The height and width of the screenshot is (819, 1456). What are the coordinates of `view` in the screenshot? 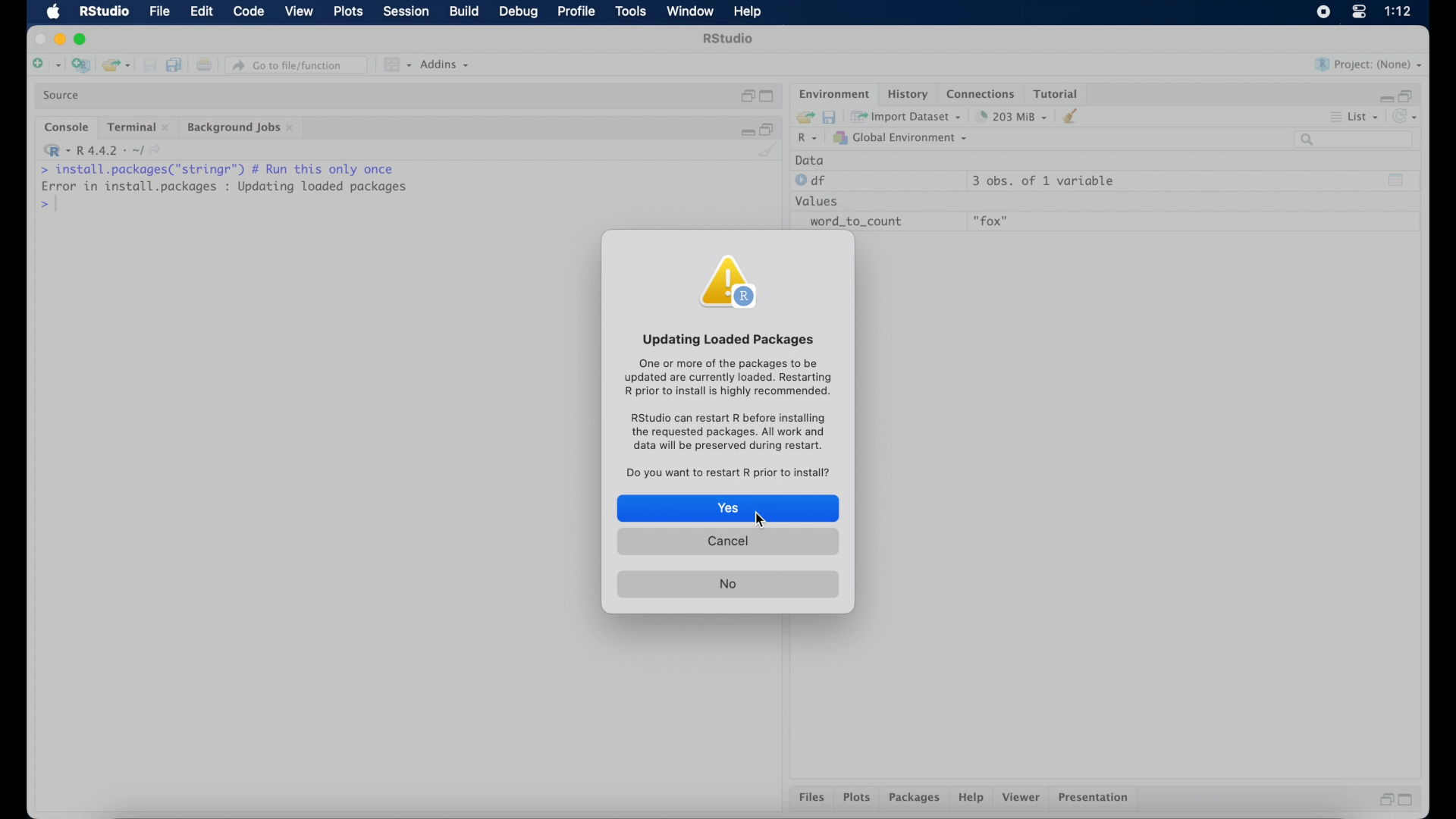 It's located at (299, 12).